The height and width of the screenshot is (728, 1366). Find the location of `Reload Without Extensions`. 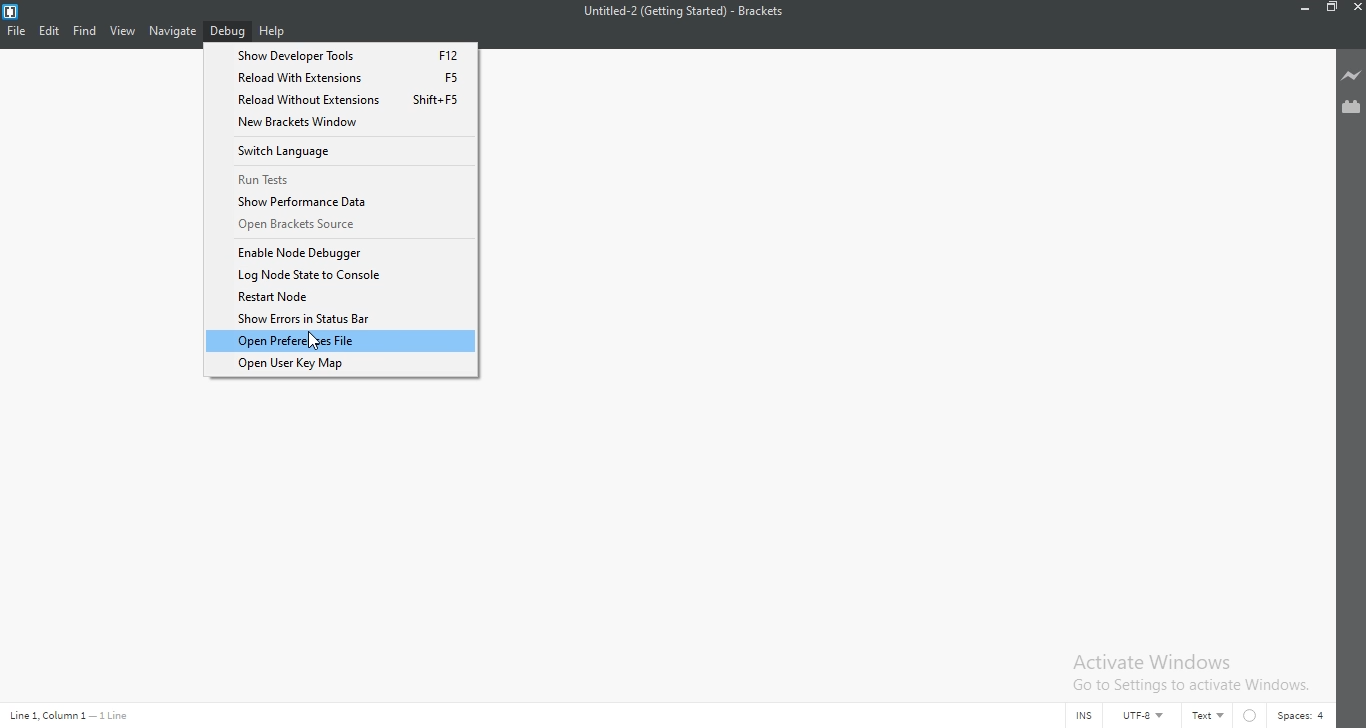

Reload Without Extensions is located at coordinates (341, 101).